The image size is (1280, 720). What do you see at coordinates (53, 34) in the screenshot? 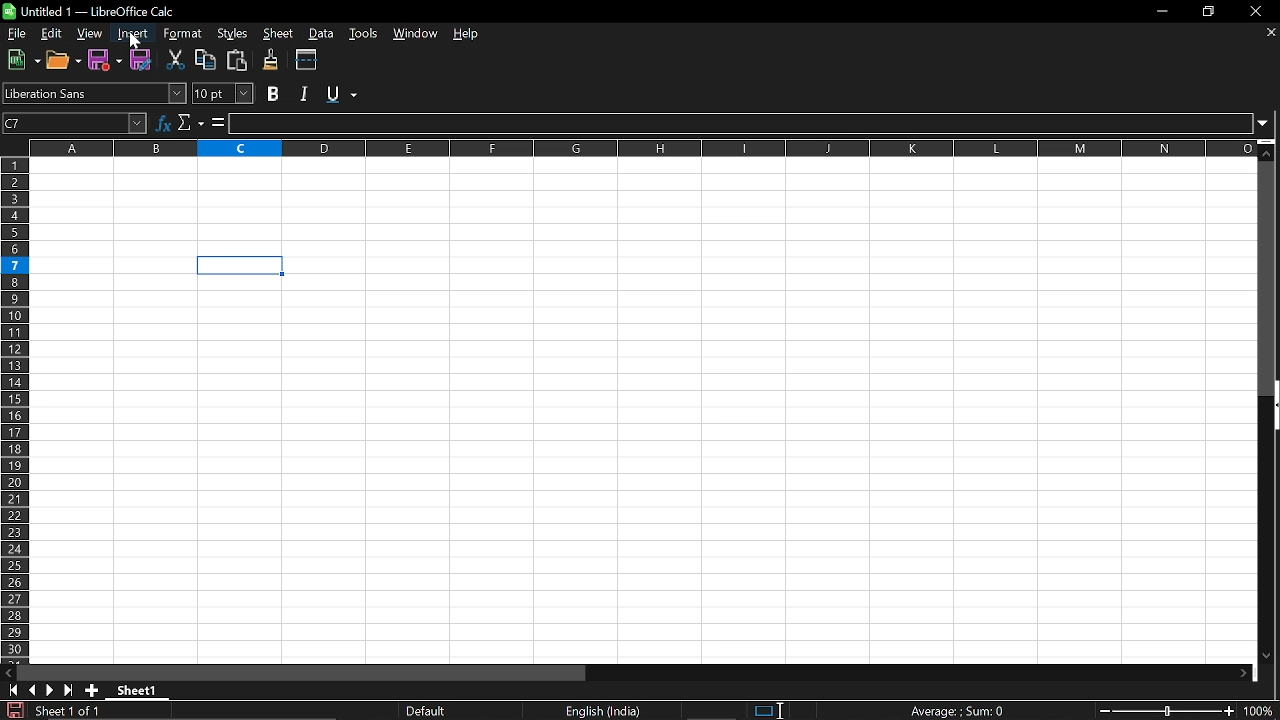
I see `Edit` at bounding box center [53, 34].